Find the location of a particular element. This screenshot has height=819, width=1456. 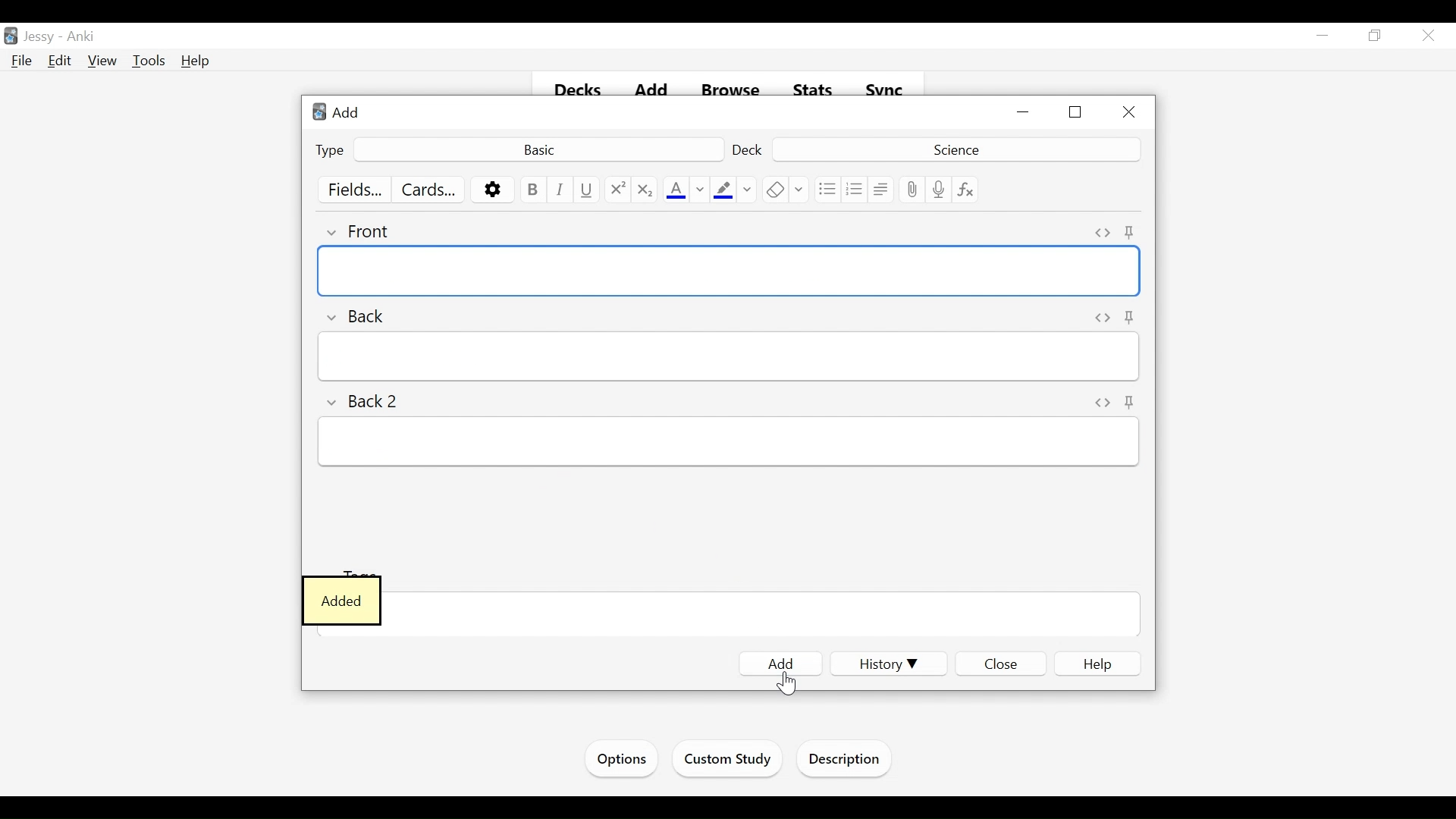

Restore is located at coordinates (1077, 113).